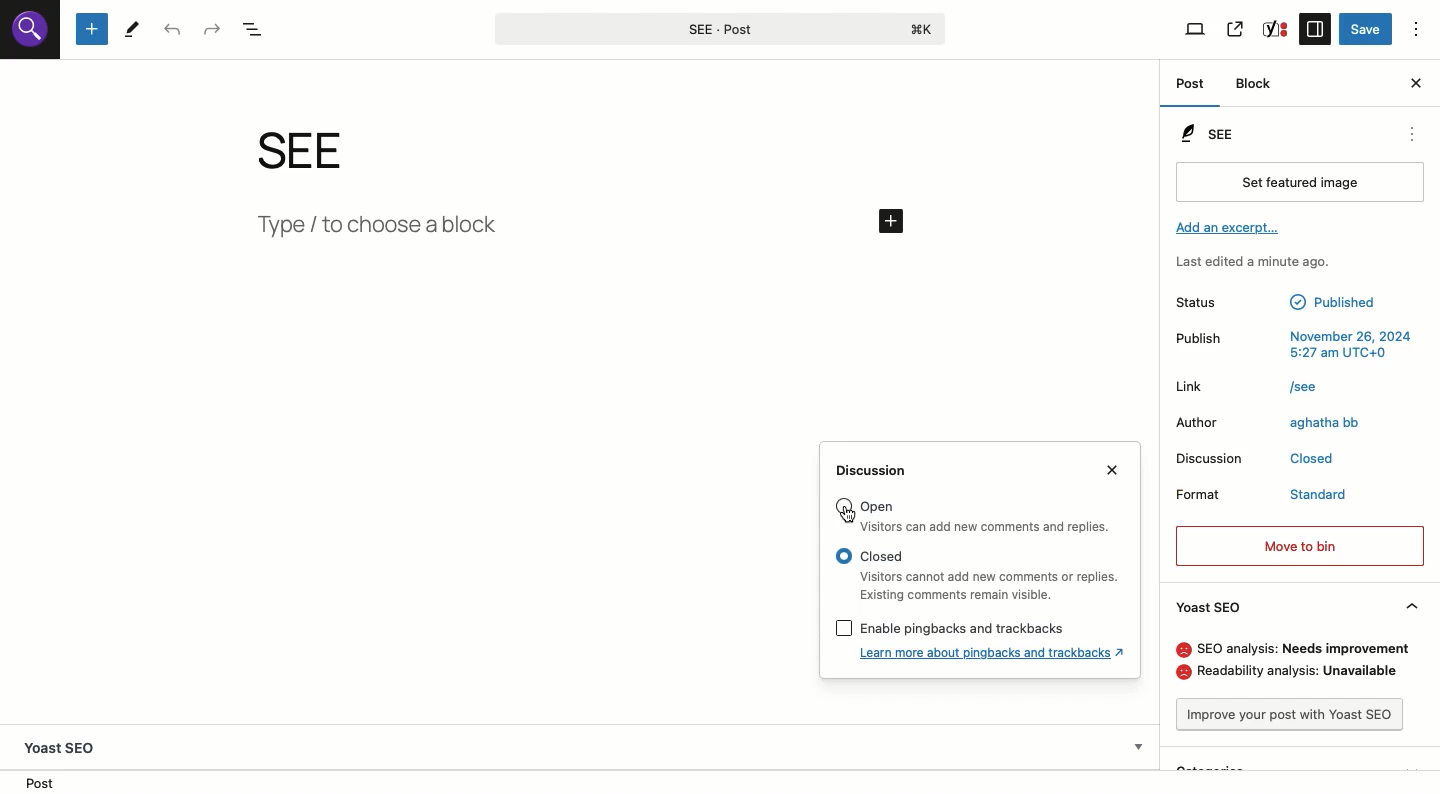 The image size is (1440, 794). What do you see at coordinates (1137, 743) in the screenshot?
I see `Show` at bounding box center [1137, 743].